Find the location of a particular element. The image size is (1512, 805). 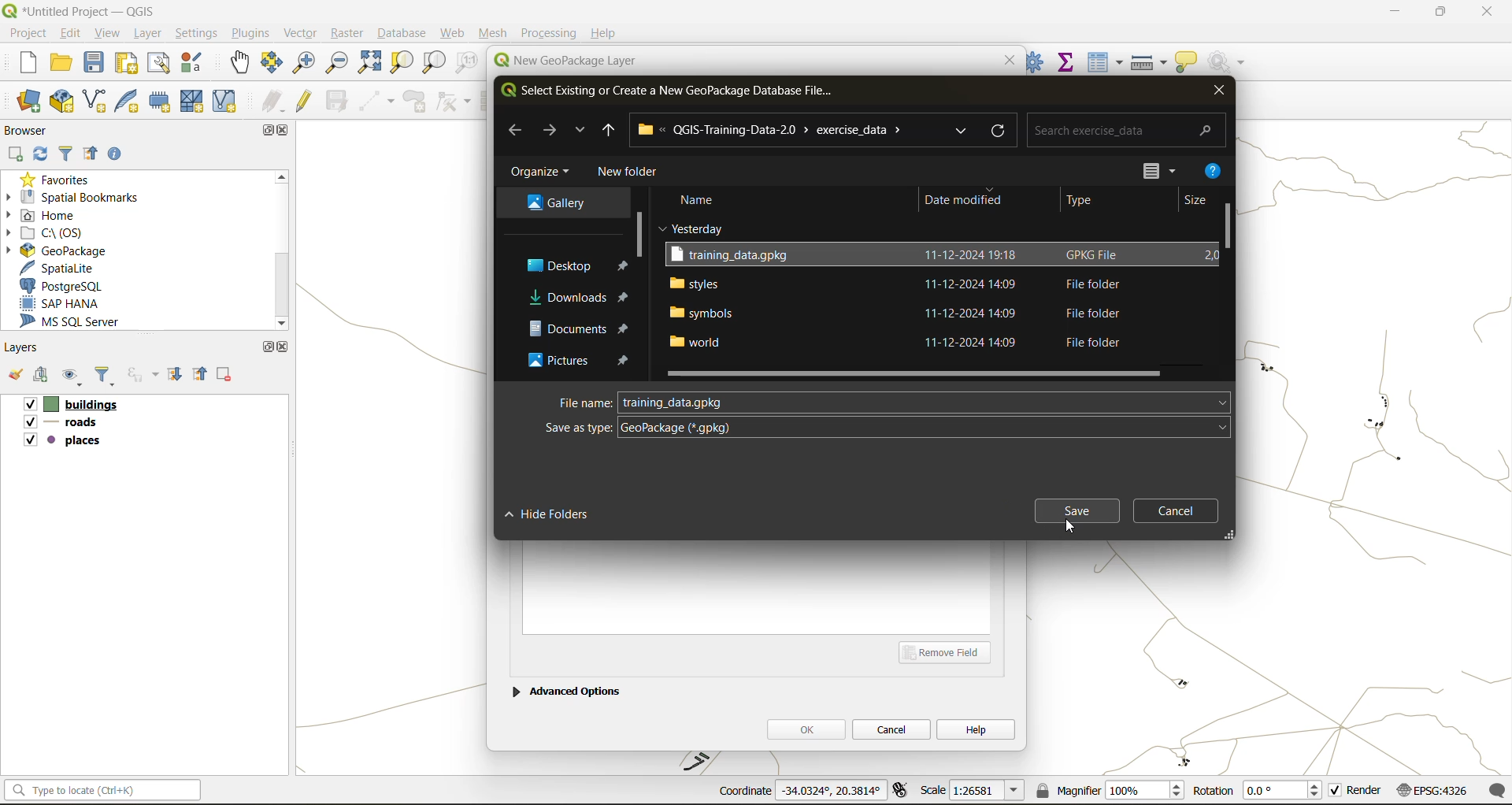

search exercise data is located at coordinates (1122, 128).